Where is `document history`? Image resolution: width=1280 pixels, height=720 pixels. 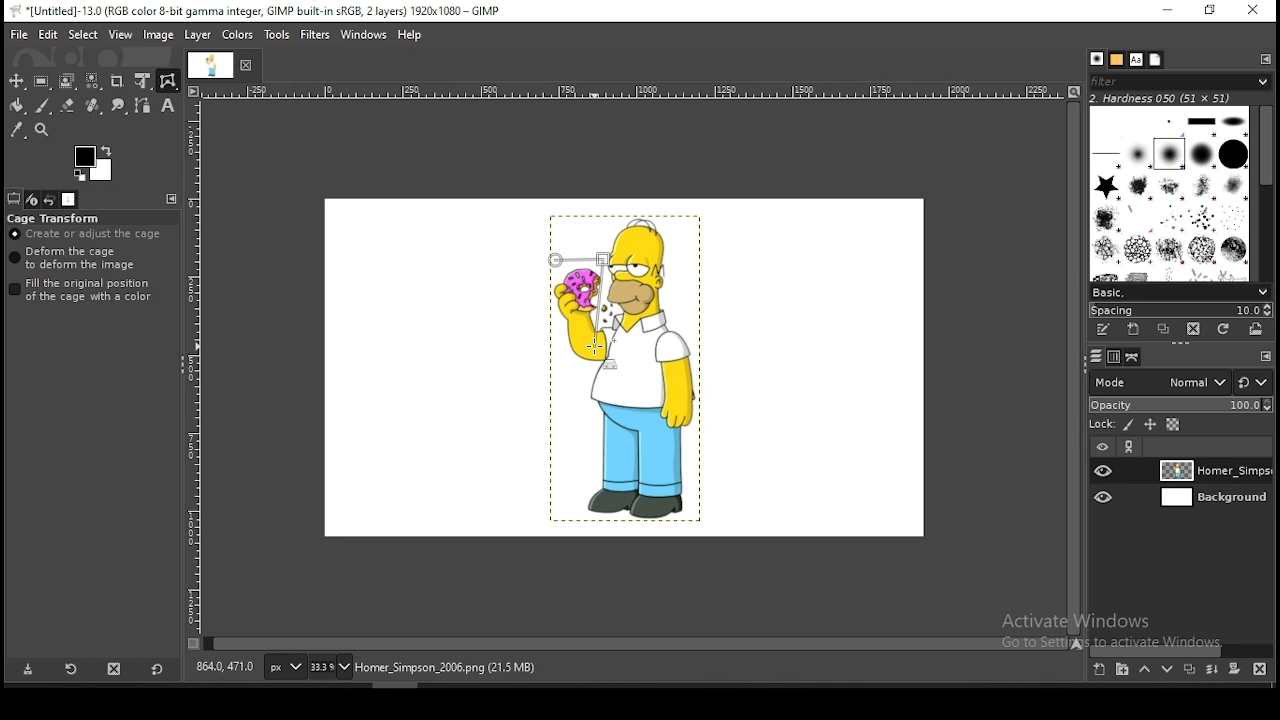
document history is located at coordinates (1155, 60).